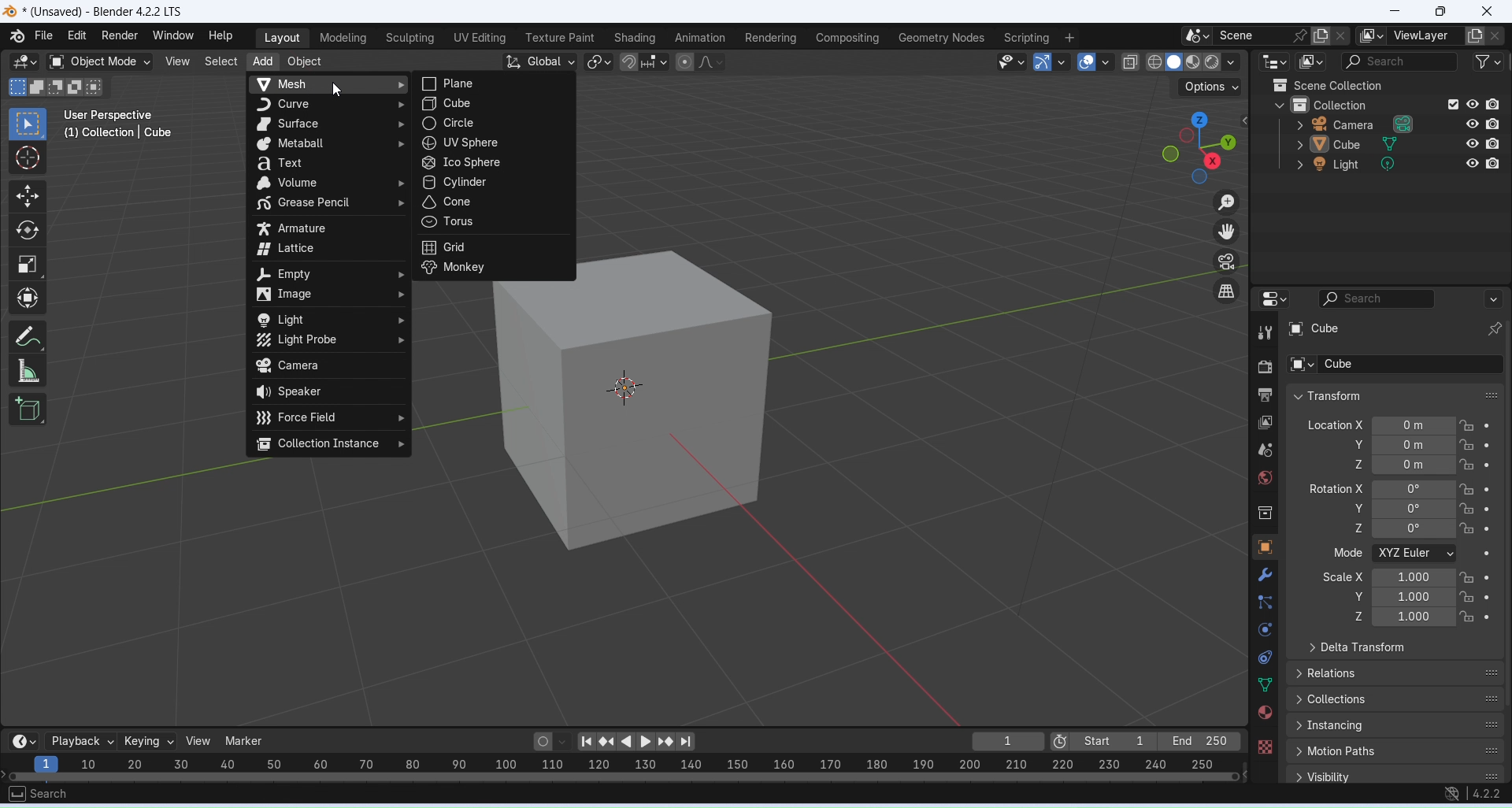 The image size is (1512, 808). Describe the element at coordinates (1435, 554) in the screenshot. I see `Mode` at that location.